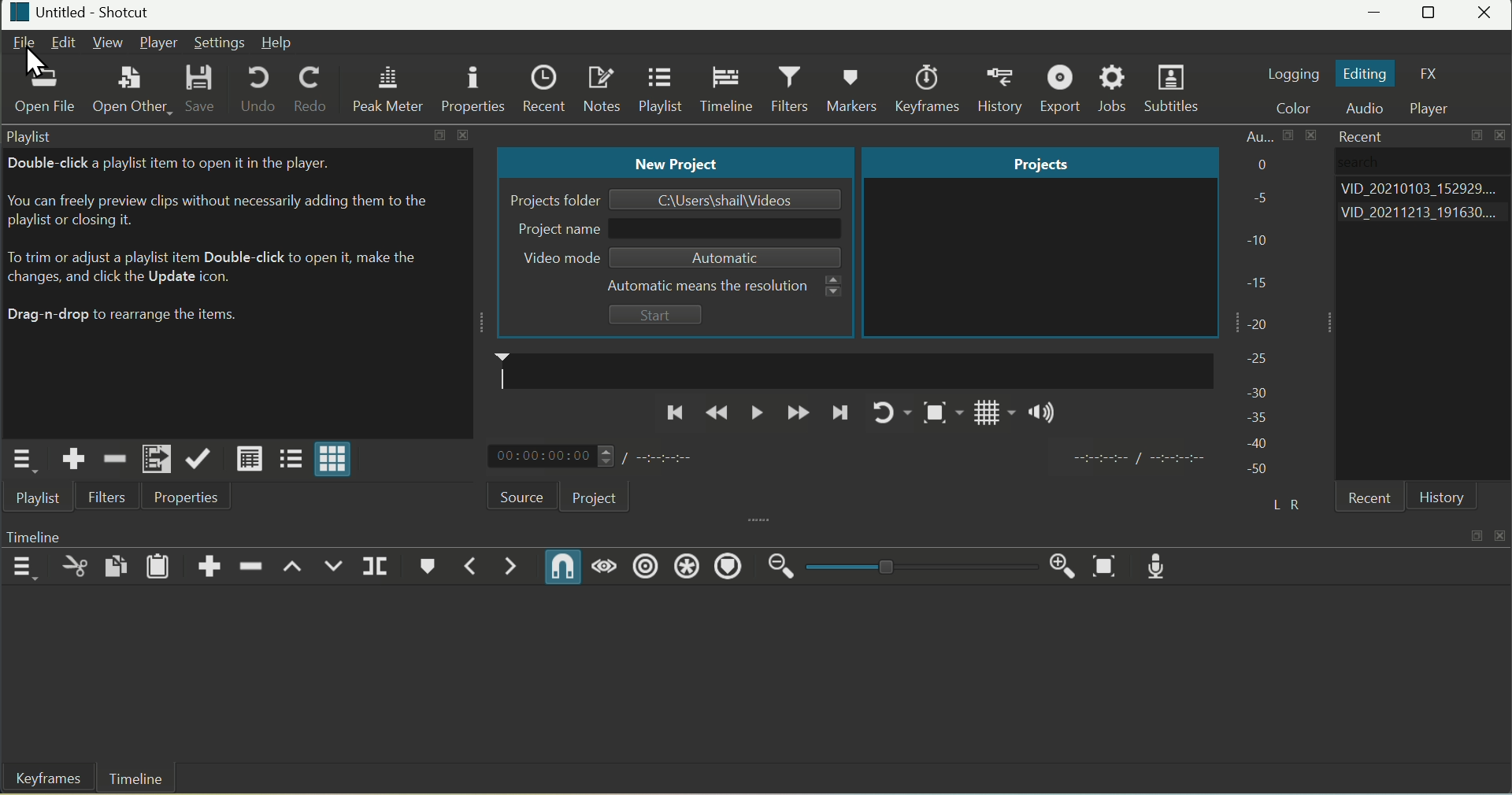 The width and height of the screenshot is (1512, 795). What do you see at coordinates (1292, 72) in the screenshot?
I see `Logging` at bounding box center [1292, 72].